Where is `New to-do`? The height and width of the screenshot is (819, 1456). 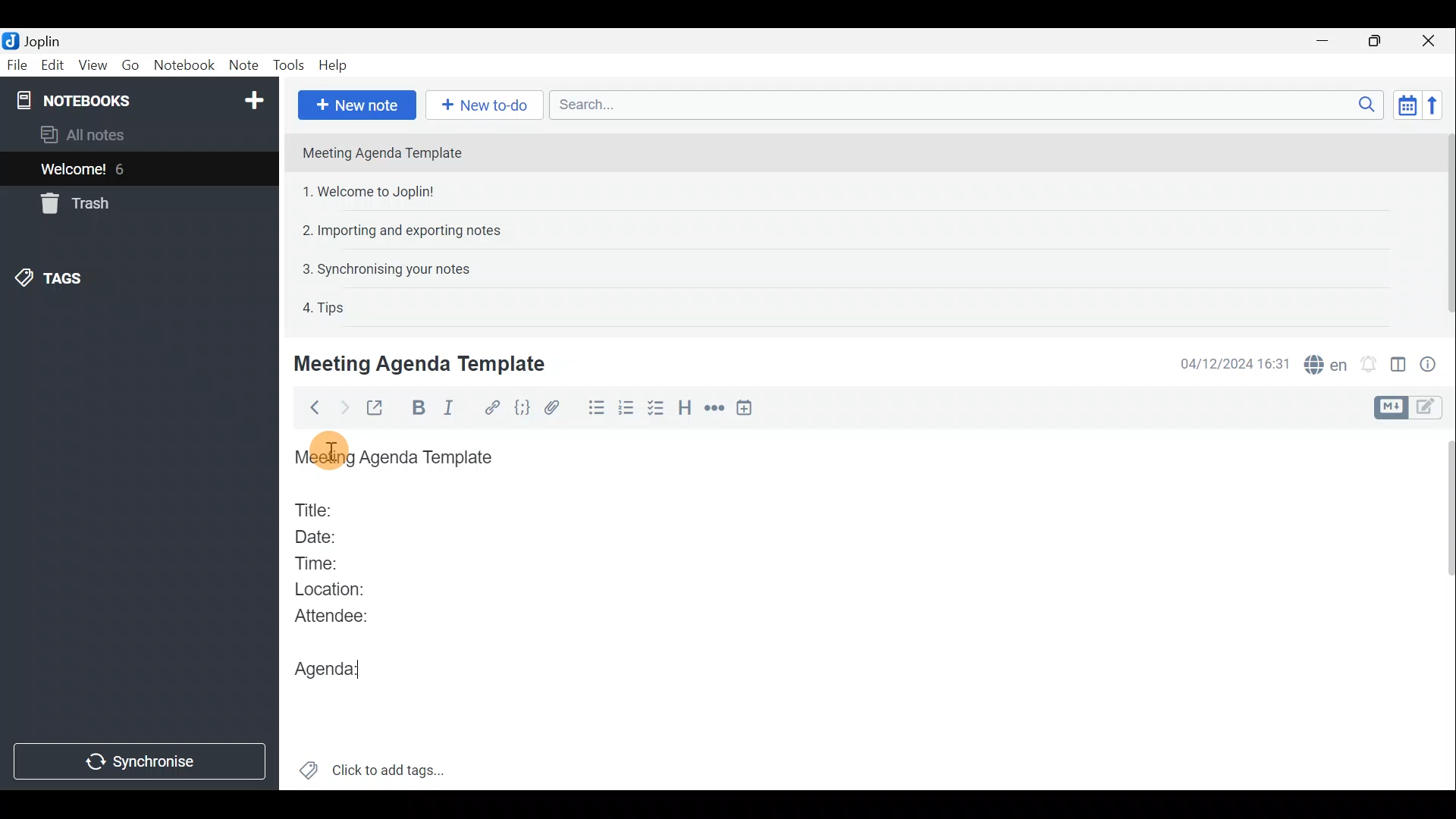
New to-do is located at coordinates (481, 105).